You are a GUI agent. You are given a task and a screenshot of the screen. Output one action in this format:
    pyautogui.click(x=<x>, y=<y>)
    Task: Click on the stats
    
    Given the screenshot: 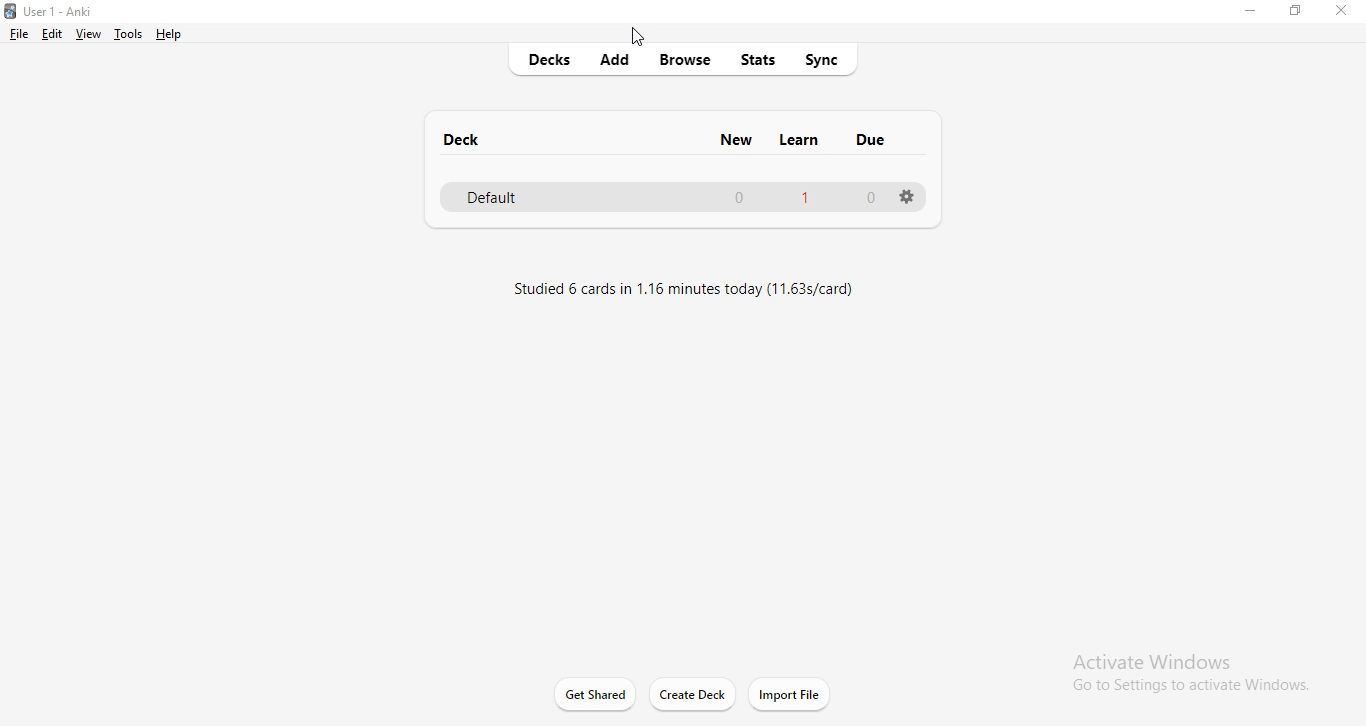 What is the action you would take?
    pyautogui.click(x=760, y=58)
    